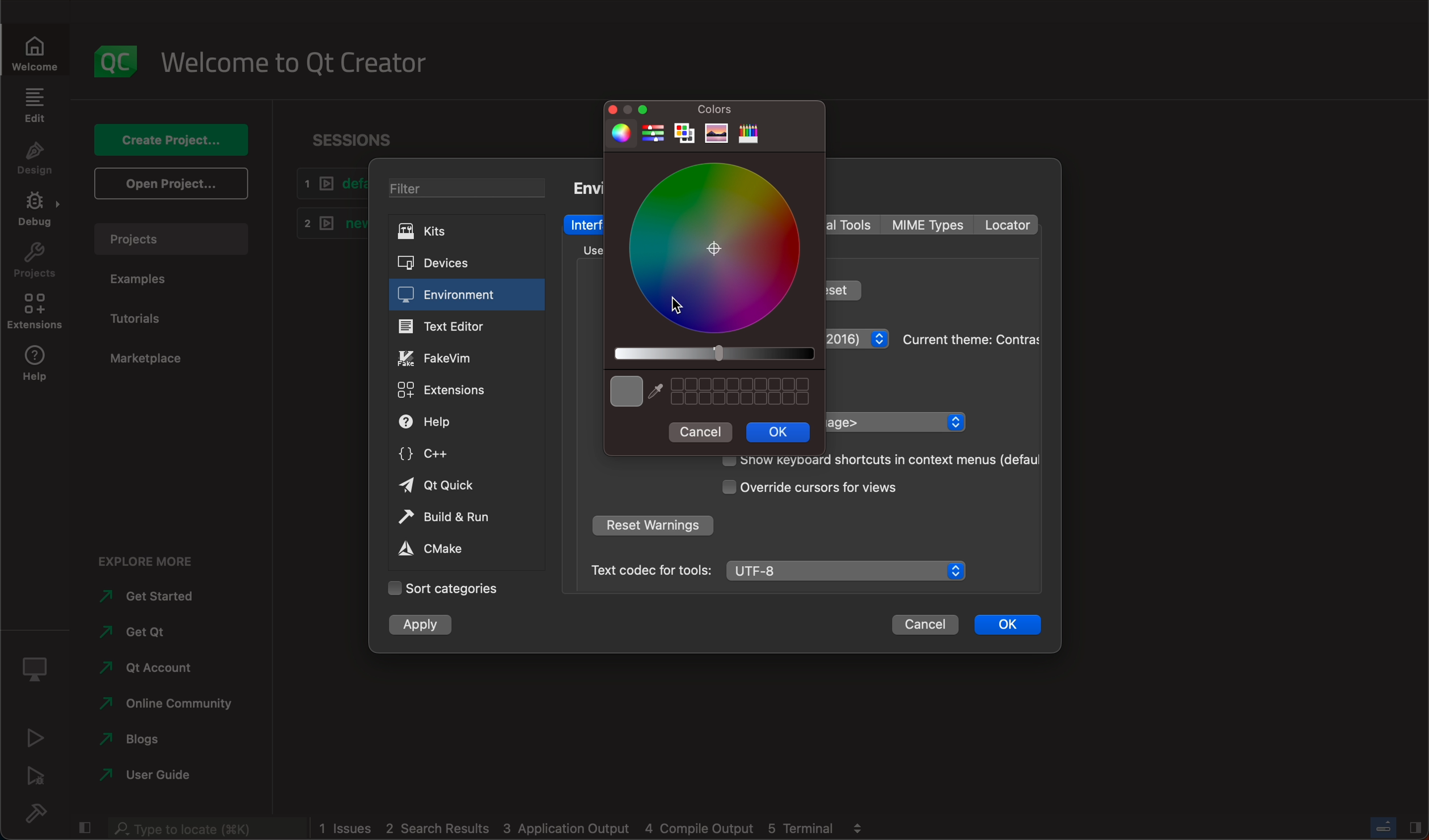 The height and width of the screenshot is (840, 1429). What do you see at coordinates (170, 236) in the screenshot?
I see `project` at bounding box center [170, 236].